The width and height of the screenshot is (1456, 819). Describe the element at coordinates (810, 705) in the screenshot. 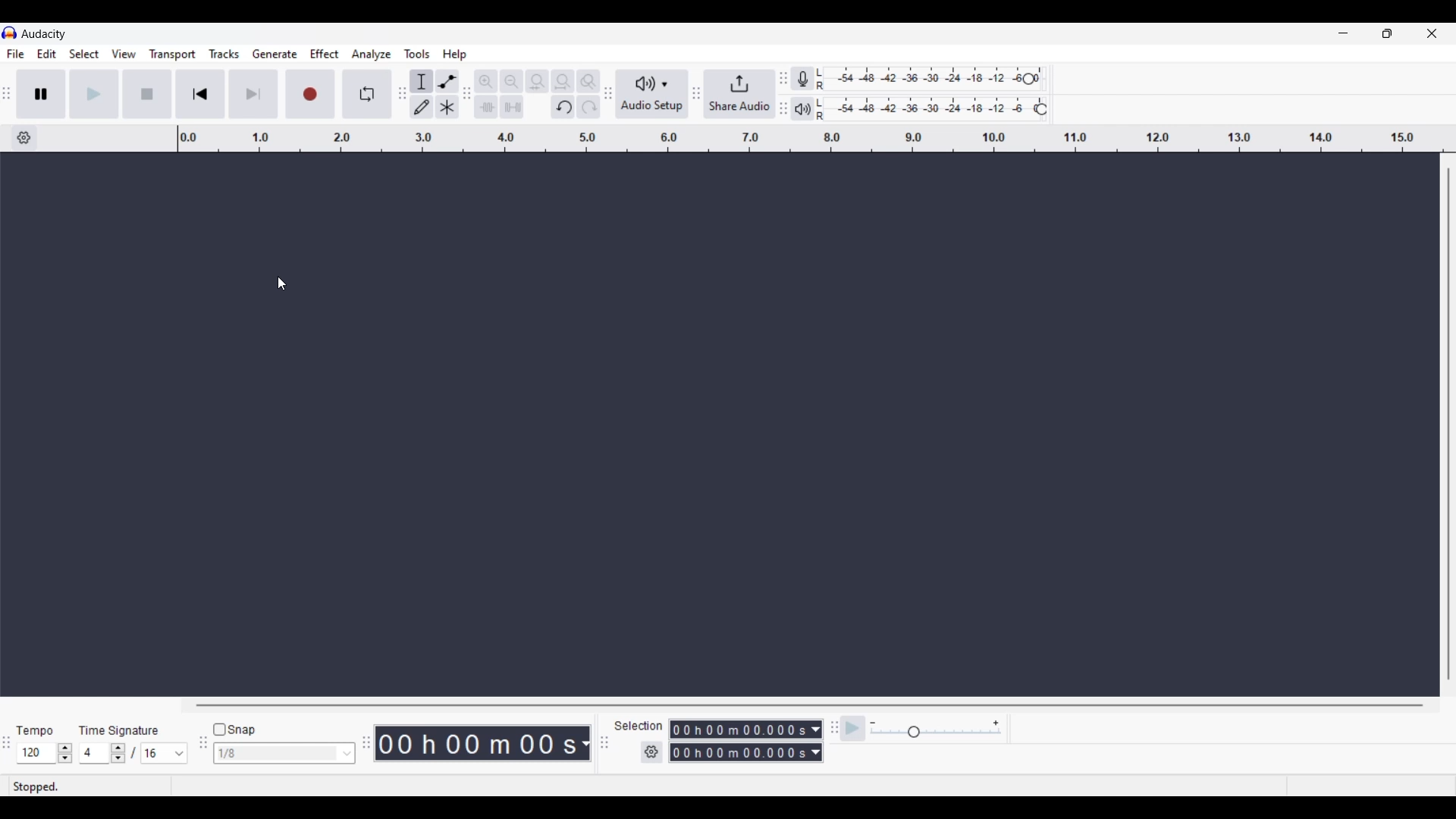

I see `Horizontal slide bar` at that location.